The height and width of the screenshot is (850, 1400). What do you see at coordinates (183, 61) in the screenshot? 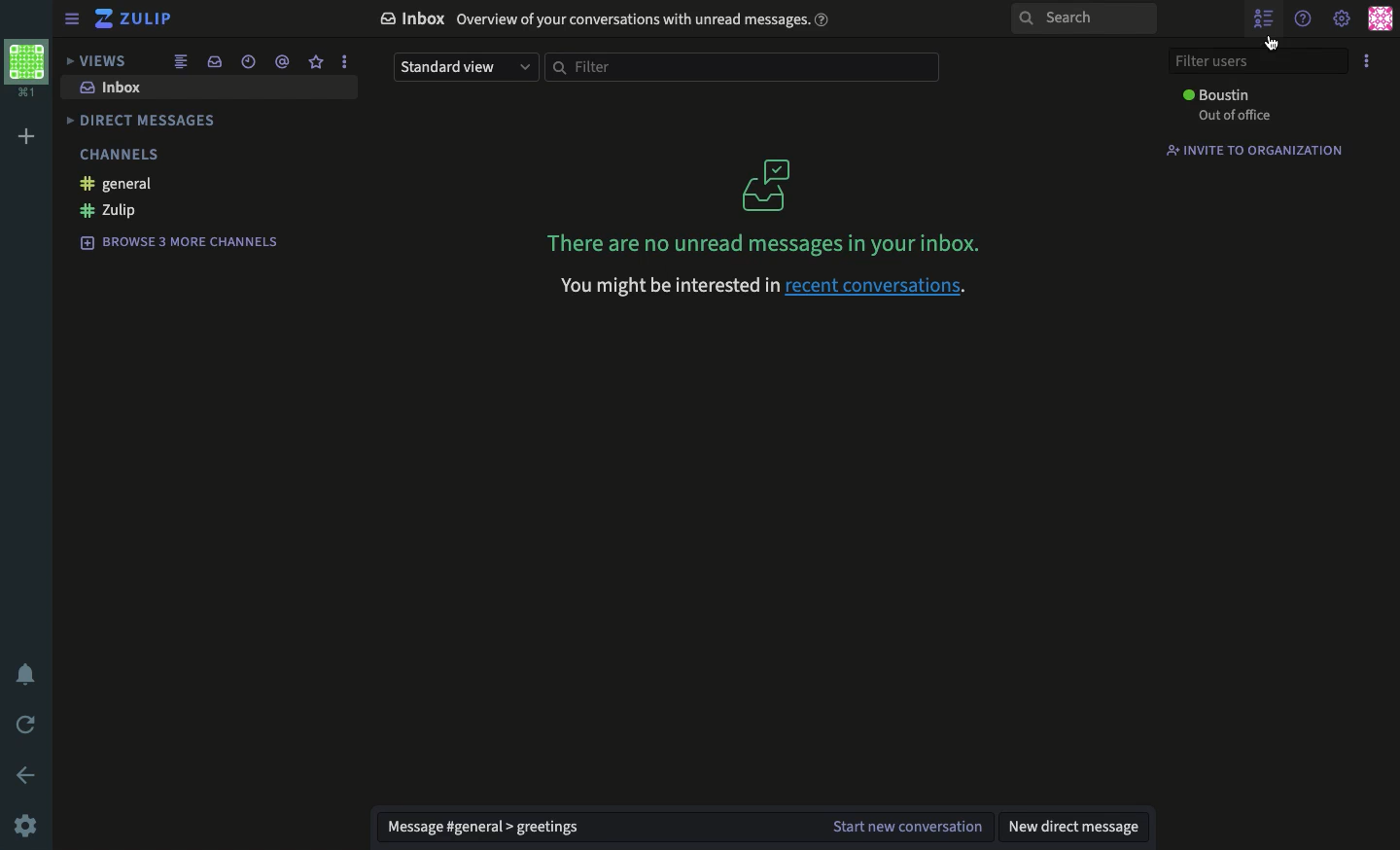
I see `combined feed` at bounding box center [183, 61].